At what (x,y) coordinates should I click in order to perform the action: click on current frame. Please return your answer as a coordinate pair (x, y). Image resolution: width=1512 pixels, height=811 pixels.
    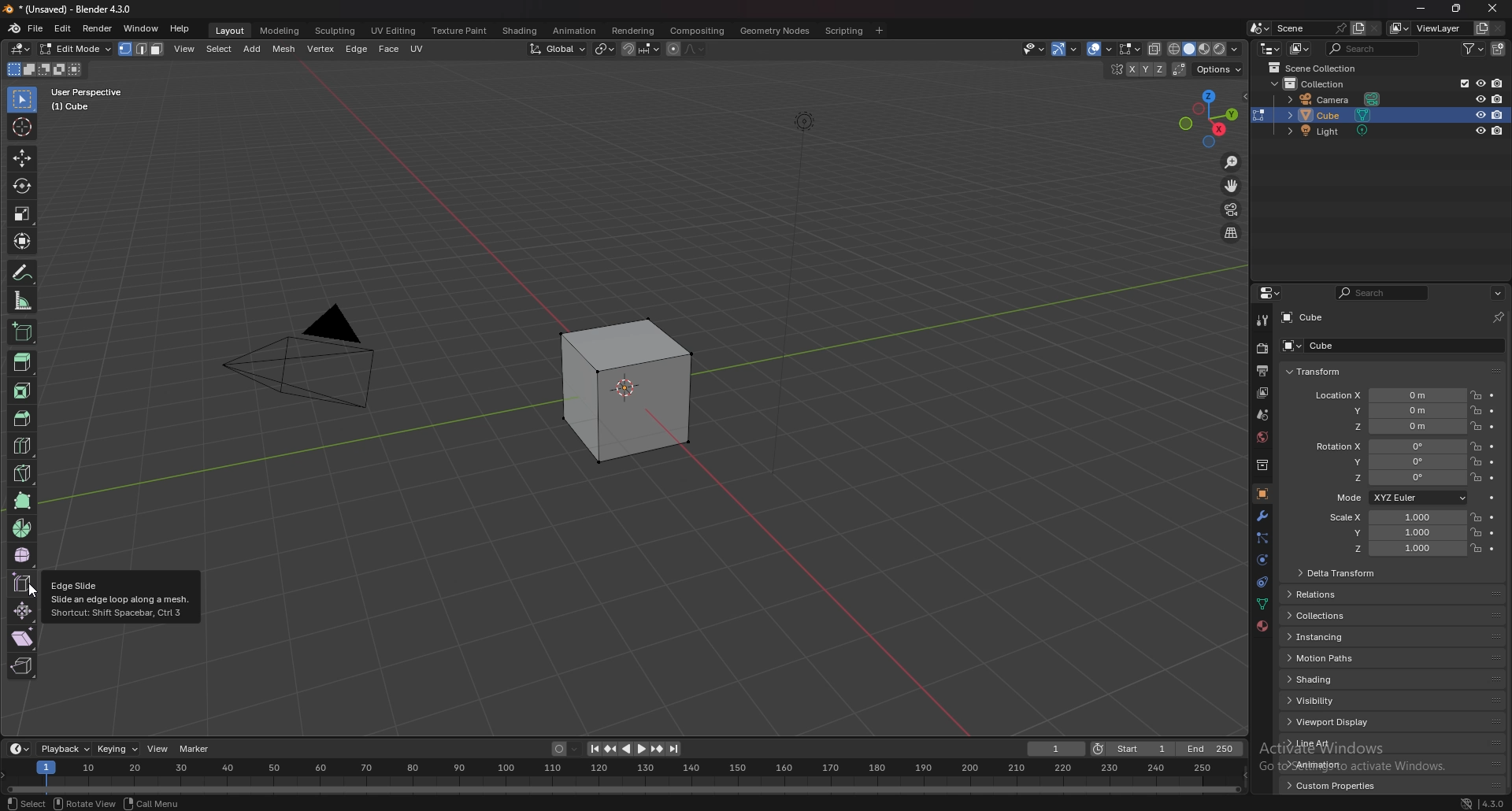
    Looking at the image, I should click on (1055, 749).